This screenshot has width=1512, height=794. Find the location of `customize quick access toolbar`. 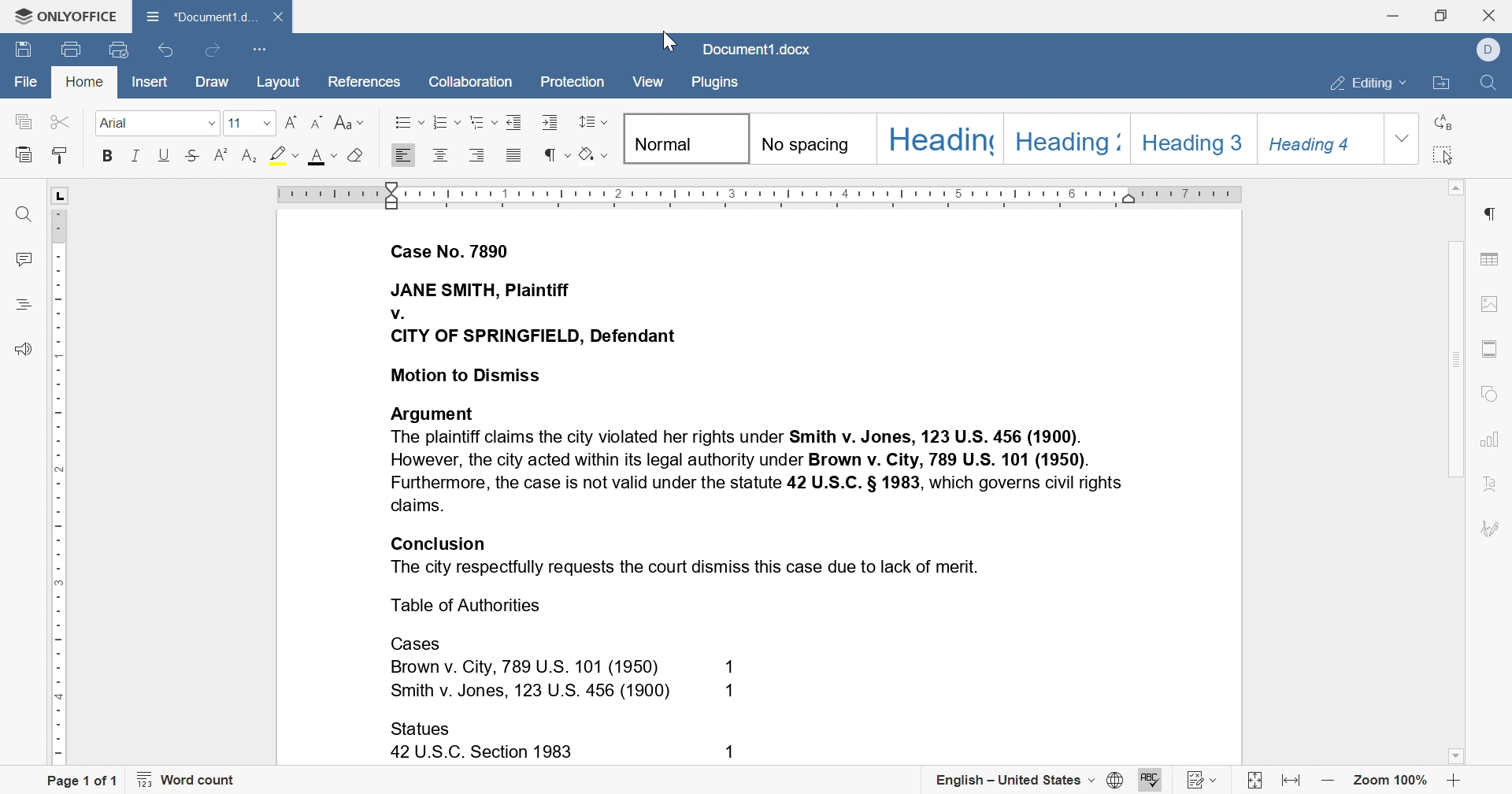

customize quick access toolbar is located at coordinates (259, 50).